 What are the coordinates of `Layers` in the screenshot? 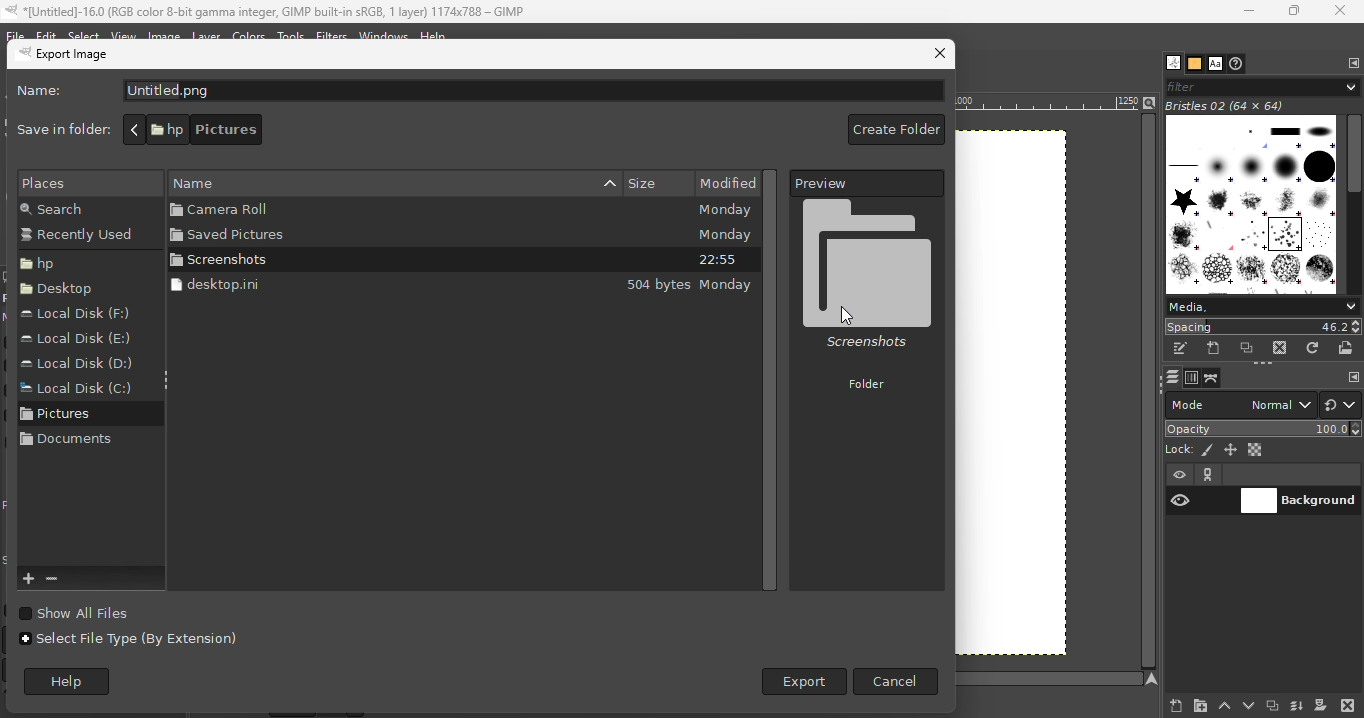 It's located at (1171, 377).